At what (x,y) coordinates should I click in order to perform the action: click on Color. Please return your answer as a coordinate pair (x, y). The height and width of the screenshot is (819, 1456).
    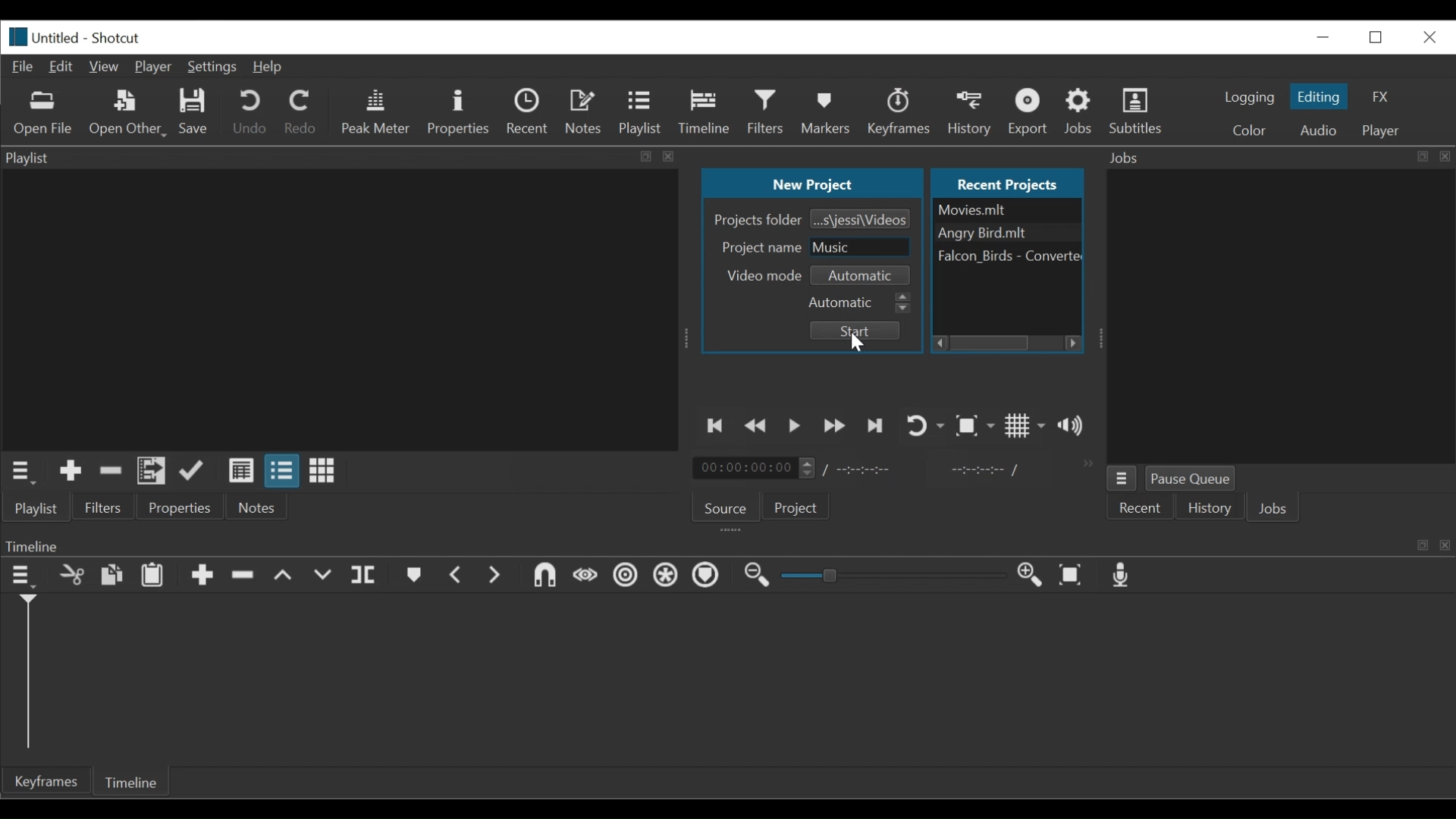
    Looking at the image, I should click on (1249, 130).